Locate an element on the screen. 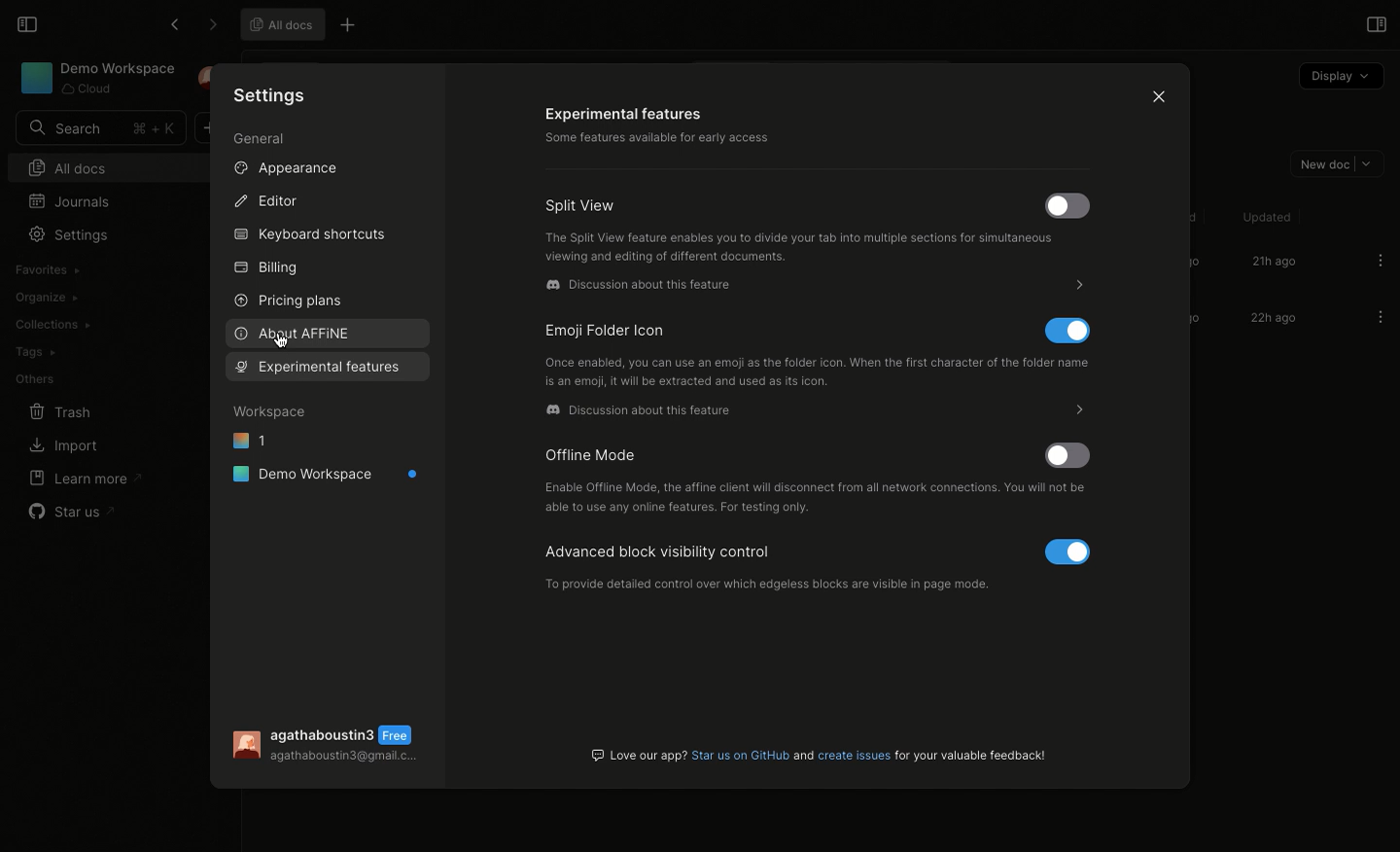 This screenshot has width=1400, height=852. Forward is located at coordinates (212, 25).